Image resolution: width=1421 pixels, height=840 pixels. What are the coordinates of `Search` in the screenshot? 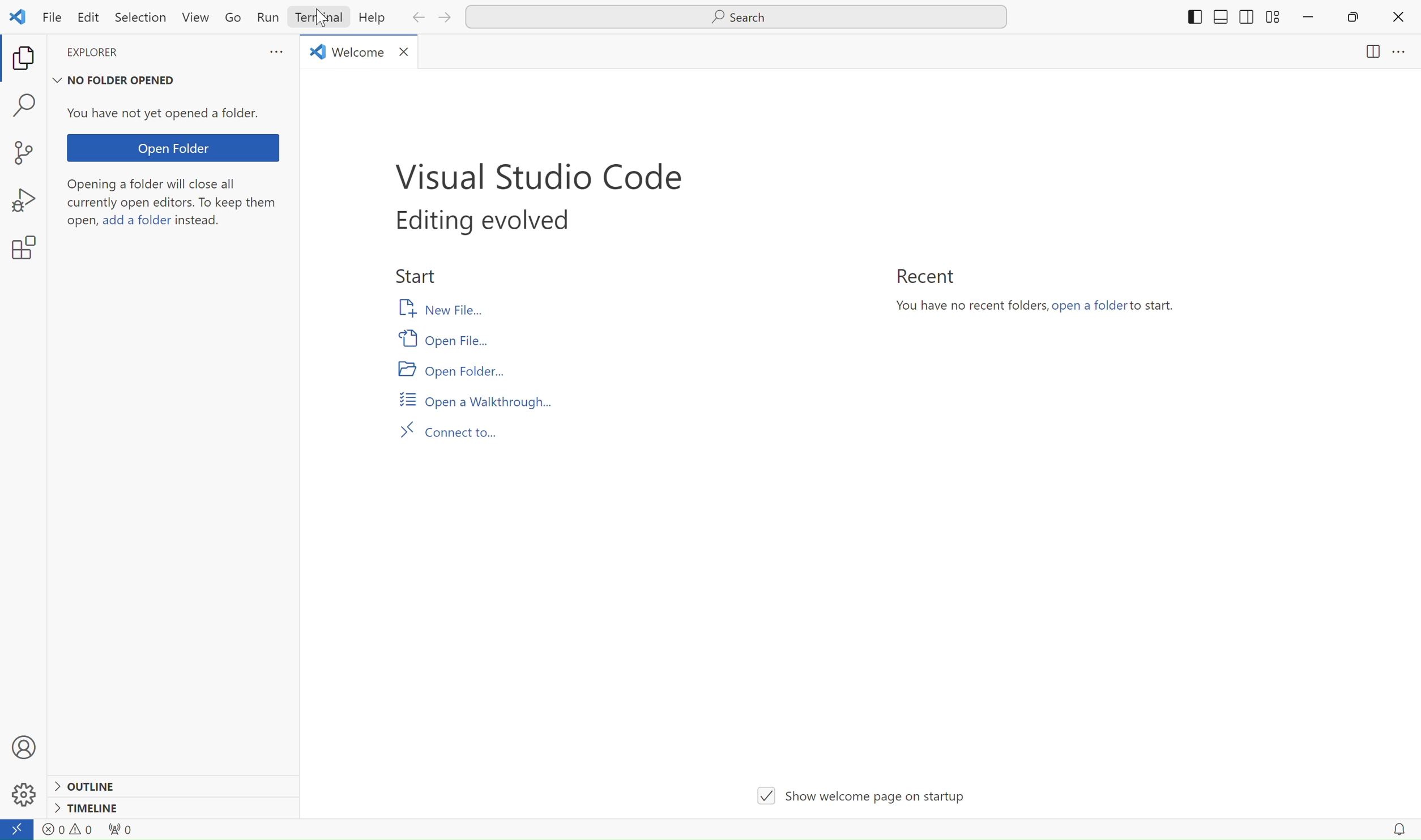 It's located at (746, 16).